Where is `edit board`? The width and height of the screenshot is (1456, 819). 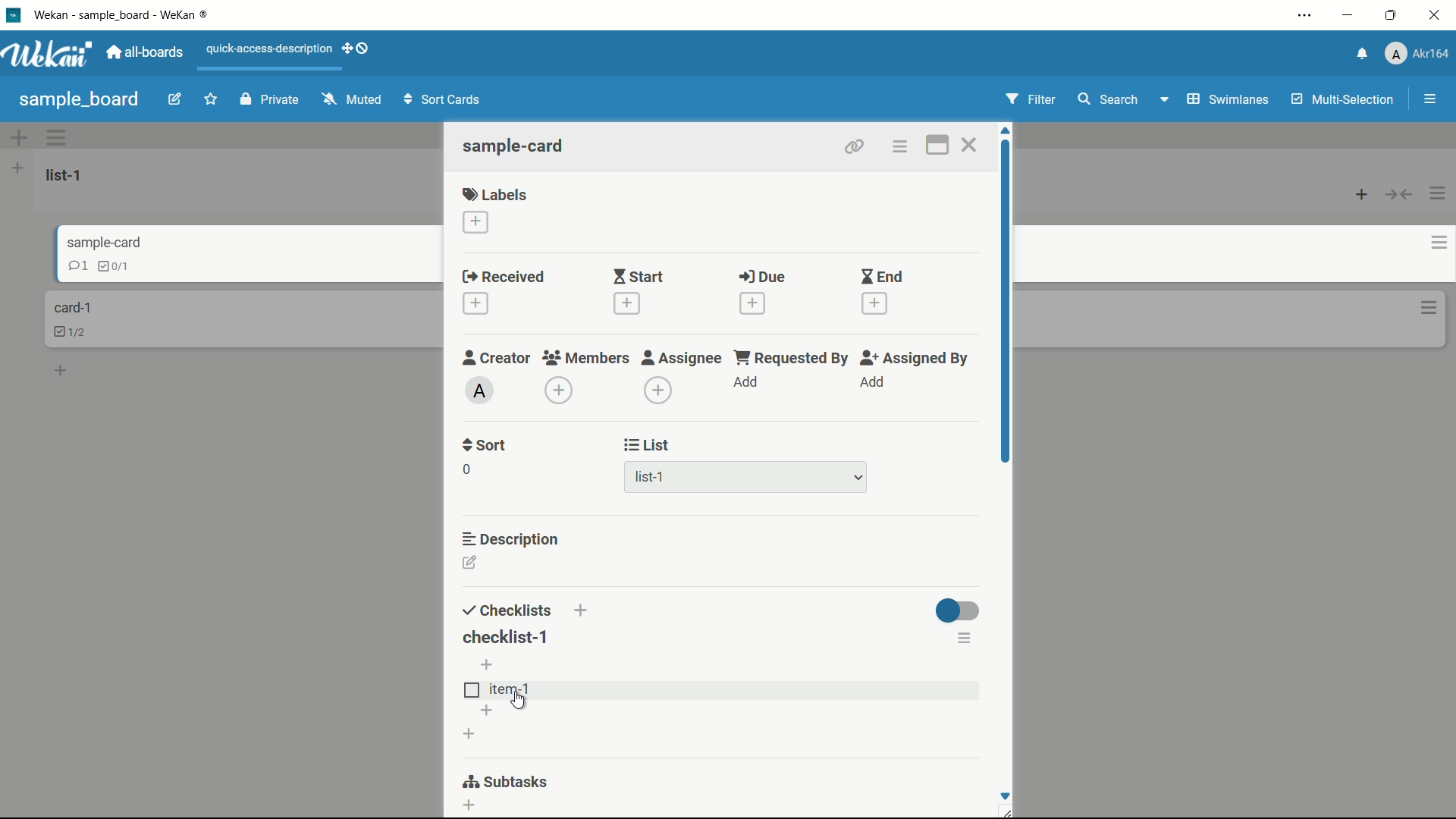 edit board is located at coordinates (175, 98).